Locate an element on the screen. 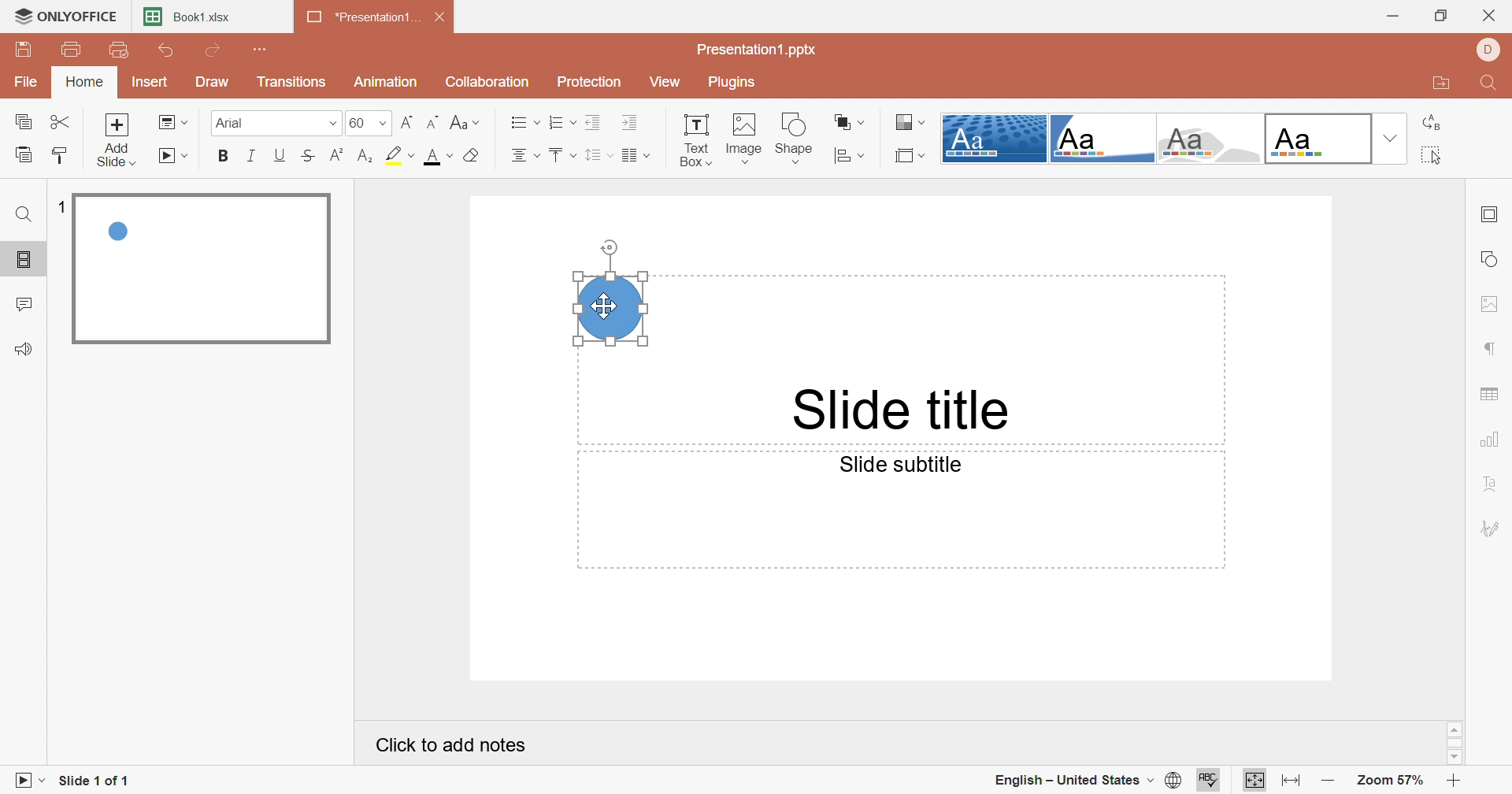 Image resolution: width=1512 pixels, height=794 pixels. Fit to slide is located at coordinates (1254, 779).